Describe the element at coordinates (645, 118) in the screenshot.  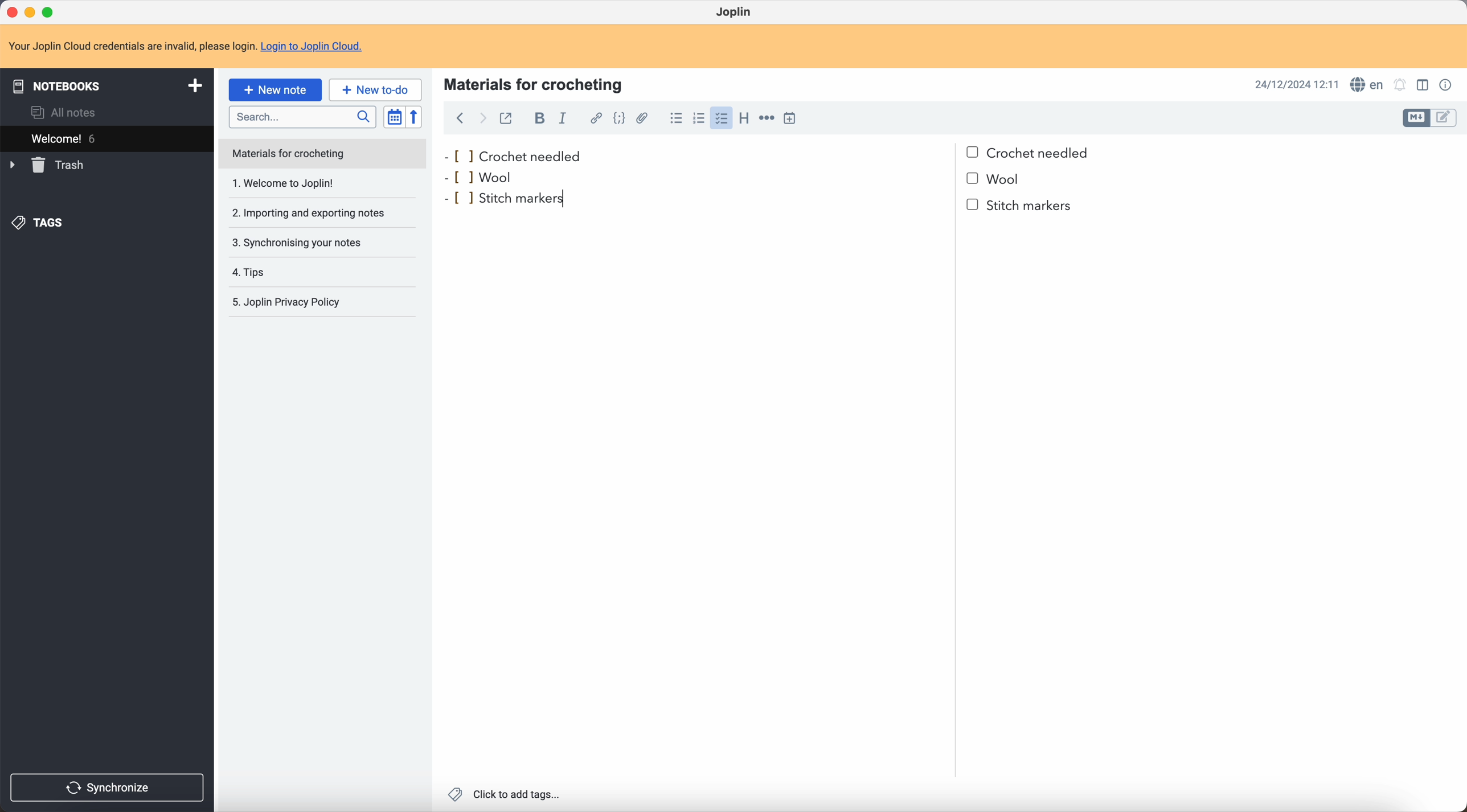
I see `attach file` at that location.